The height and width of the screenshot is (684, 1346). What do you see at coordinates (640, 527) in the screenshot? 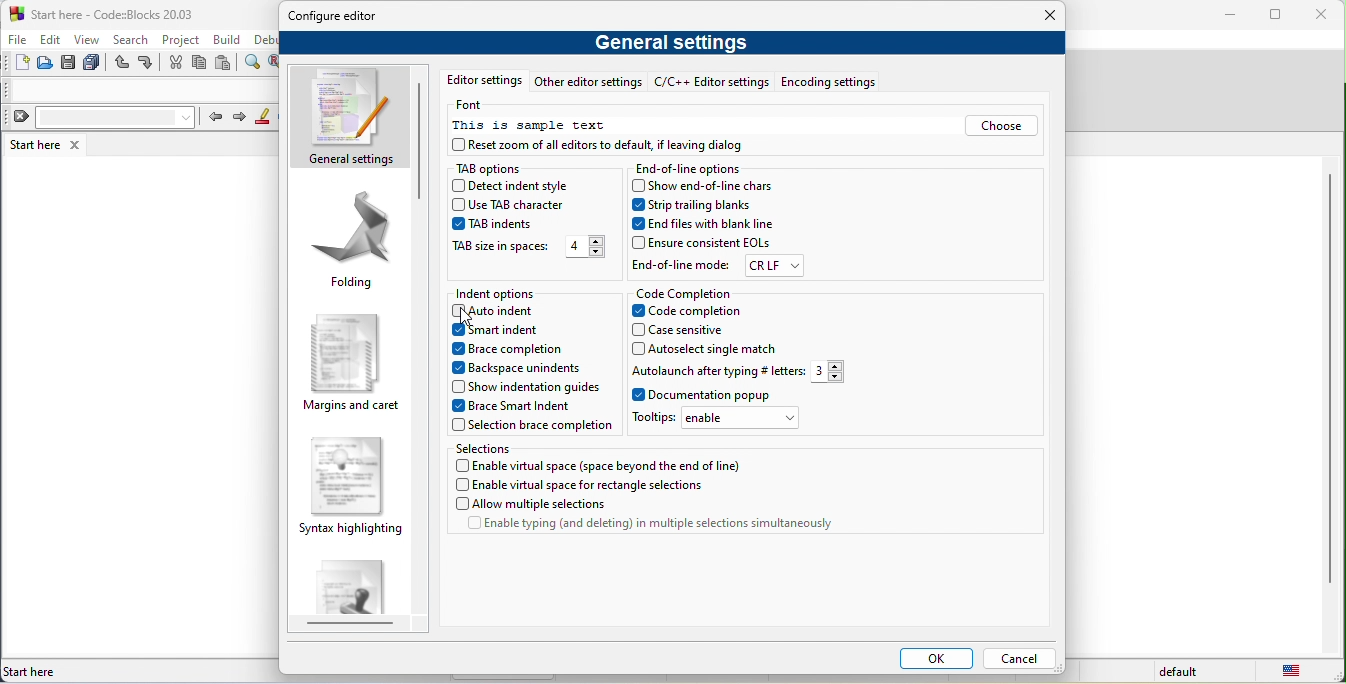
I see `enable typing` at bounding box center [640, 527].